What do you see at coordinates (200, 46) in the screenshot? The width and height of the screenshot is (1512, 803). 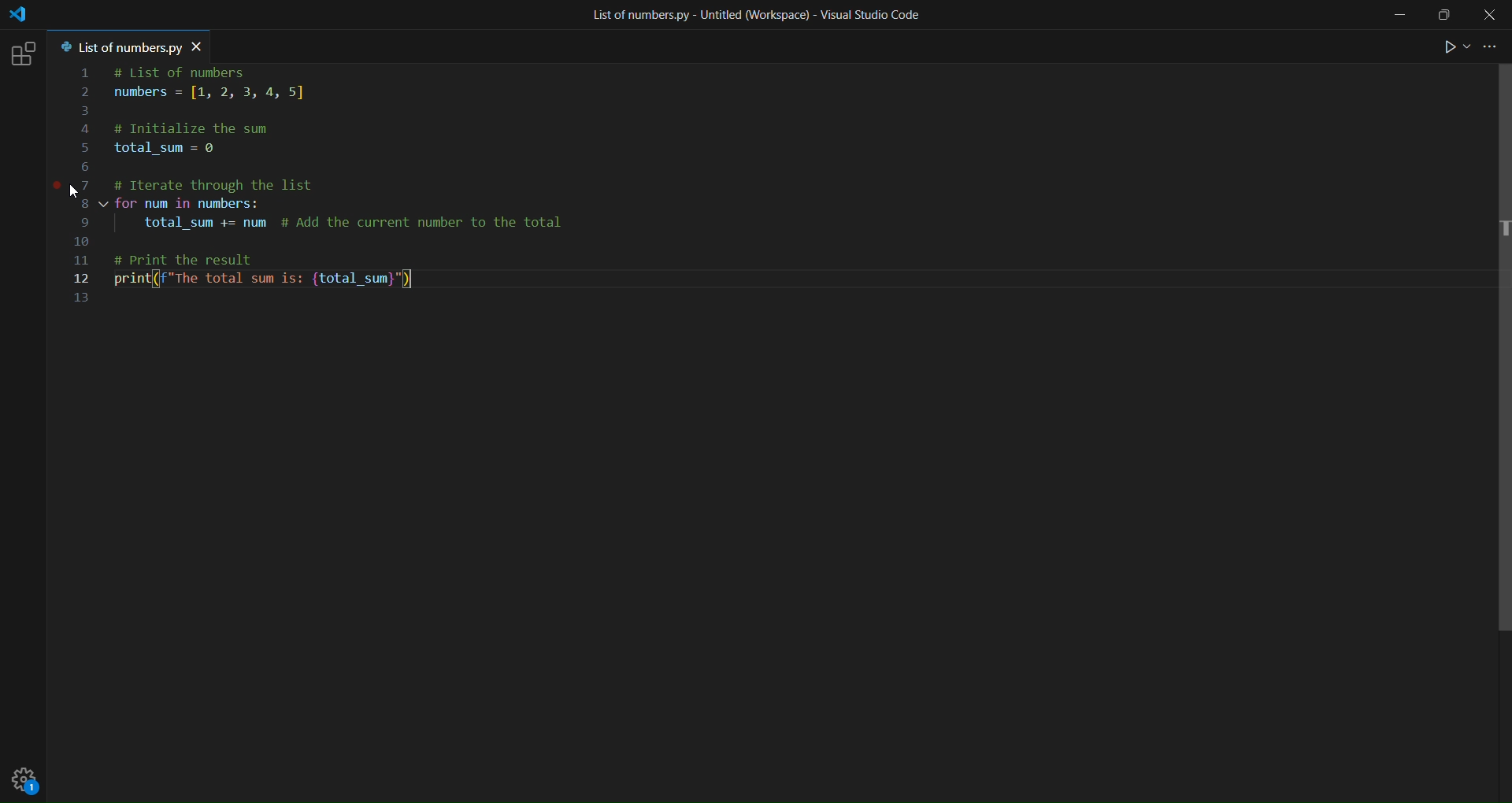 I see `close tab` at bounding box center [200, 46].